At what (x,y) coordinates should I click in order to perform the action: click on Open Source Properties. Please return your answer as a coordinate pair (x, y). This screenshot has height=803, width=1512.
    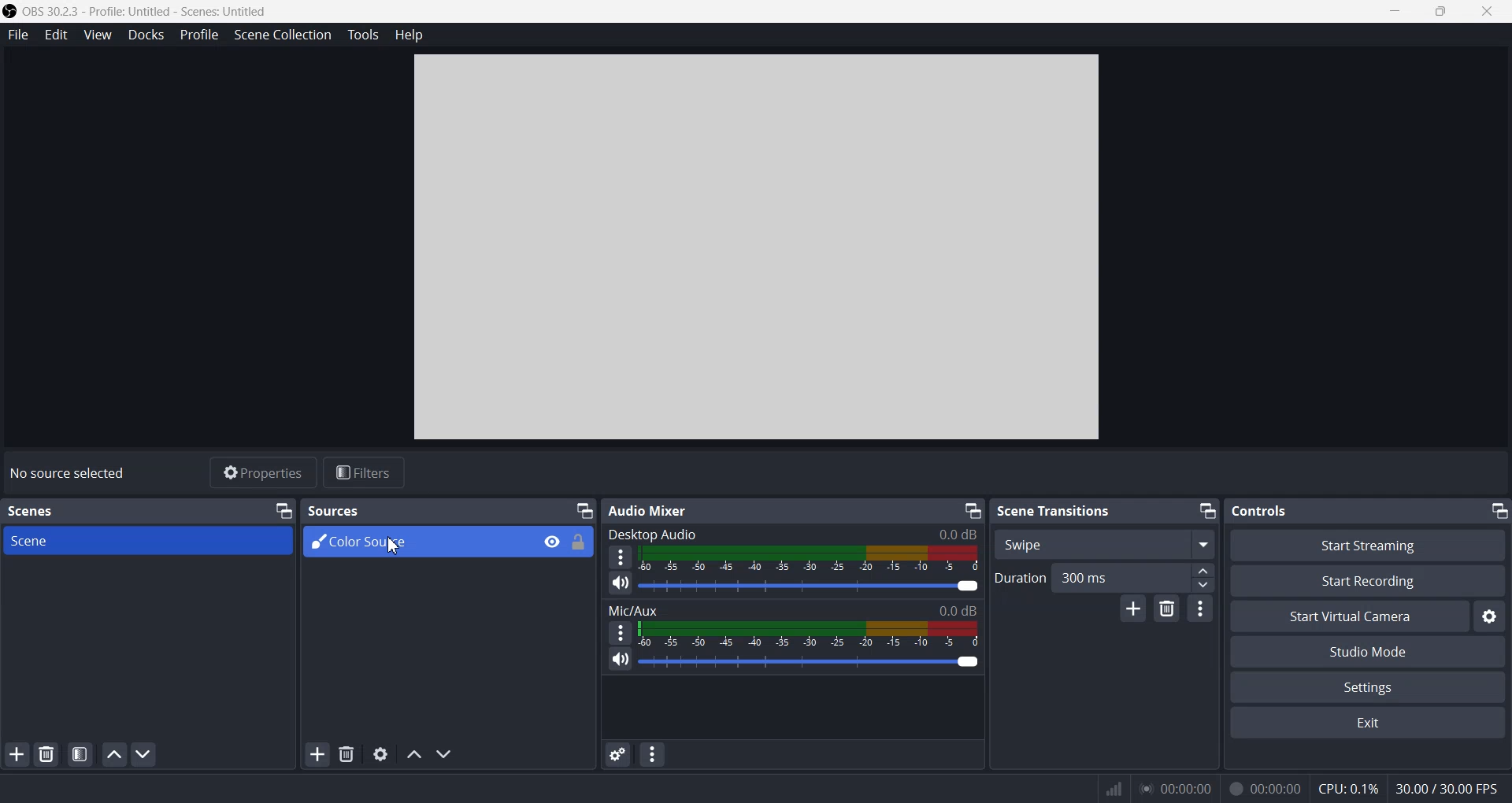
    Looking at the image, I should click on (380, 754).